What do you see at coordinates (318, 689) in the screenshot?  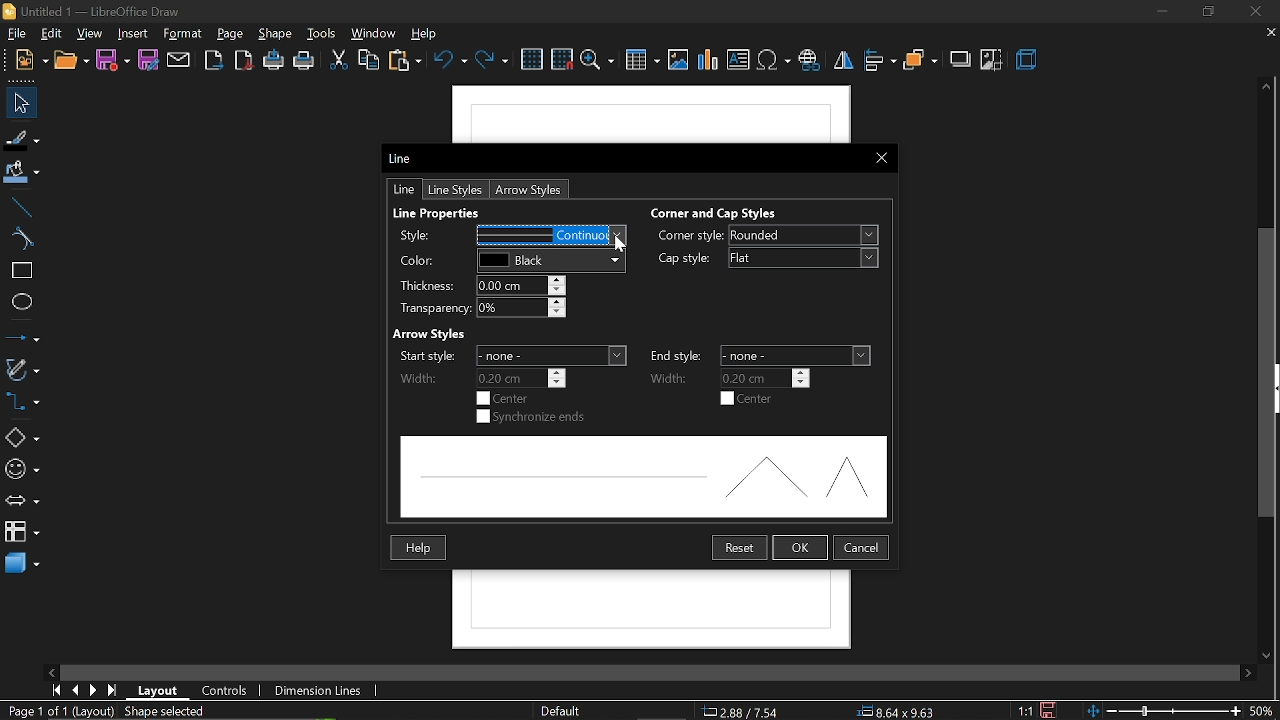 I see `dimension lines` at bounding box center [318, 689].